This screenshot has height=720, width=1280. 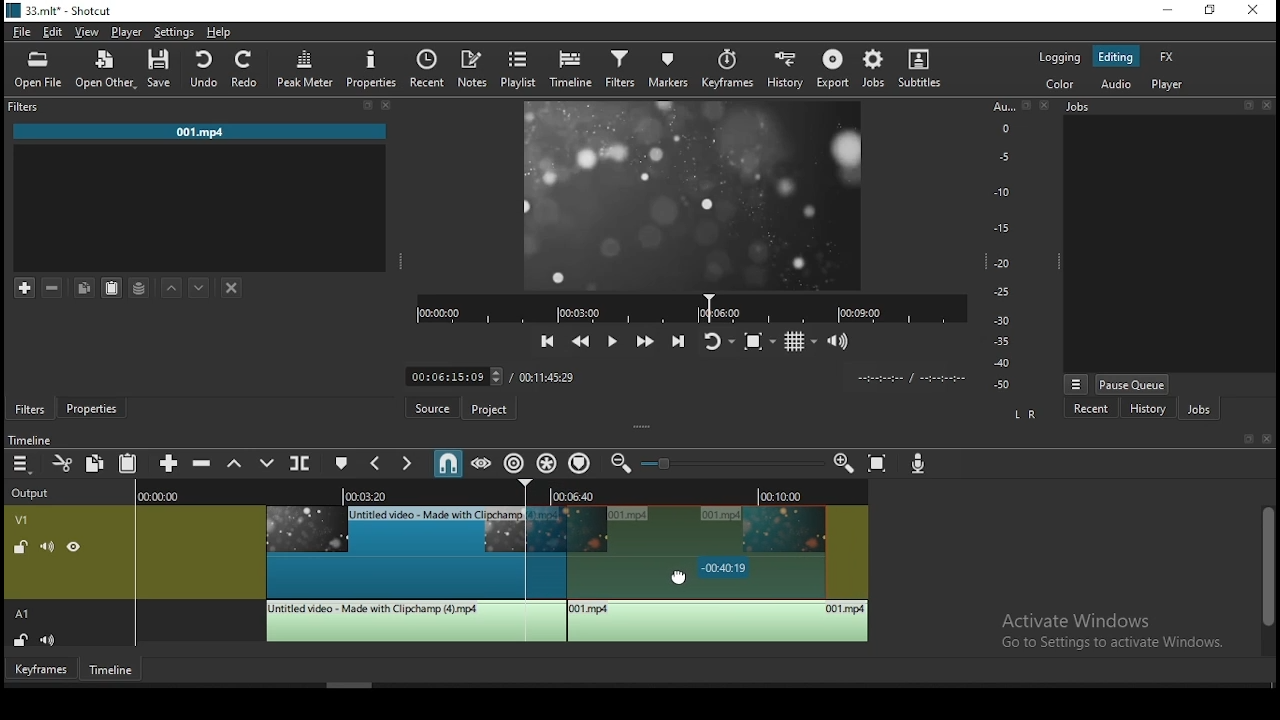 What do you see at coordinates (440, 376) in the screenshot?
I see `elapsed time` at bounding box center [440, 376].